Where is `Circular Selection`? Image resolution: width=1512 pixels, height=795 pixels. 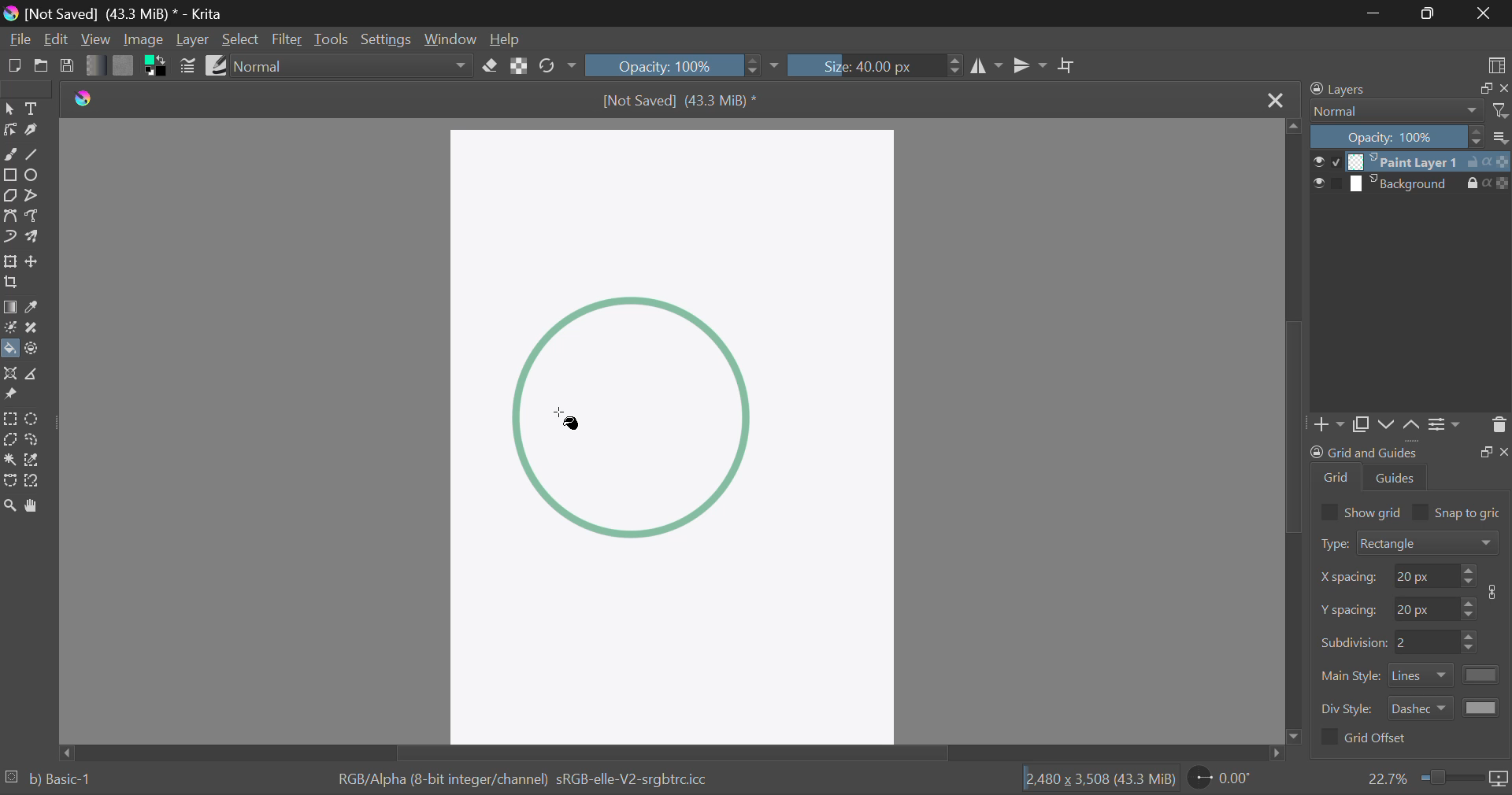
Circular Selection is located at coordinates (33, 418).